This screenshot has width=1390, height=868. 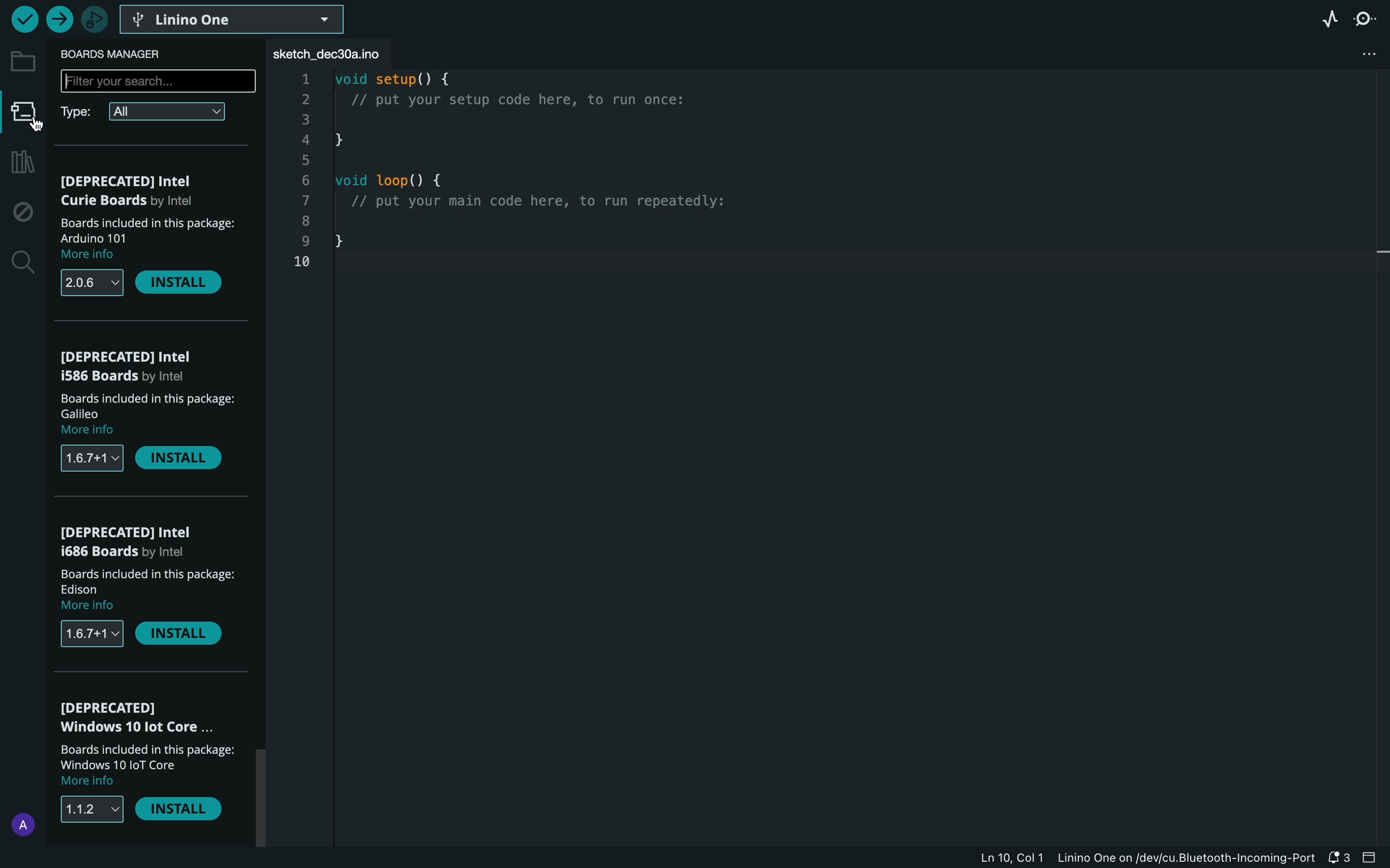 What do you see at coordinates (1340, 859) in the screenshot?
I see `notification` at bounding box center [1340, 859].